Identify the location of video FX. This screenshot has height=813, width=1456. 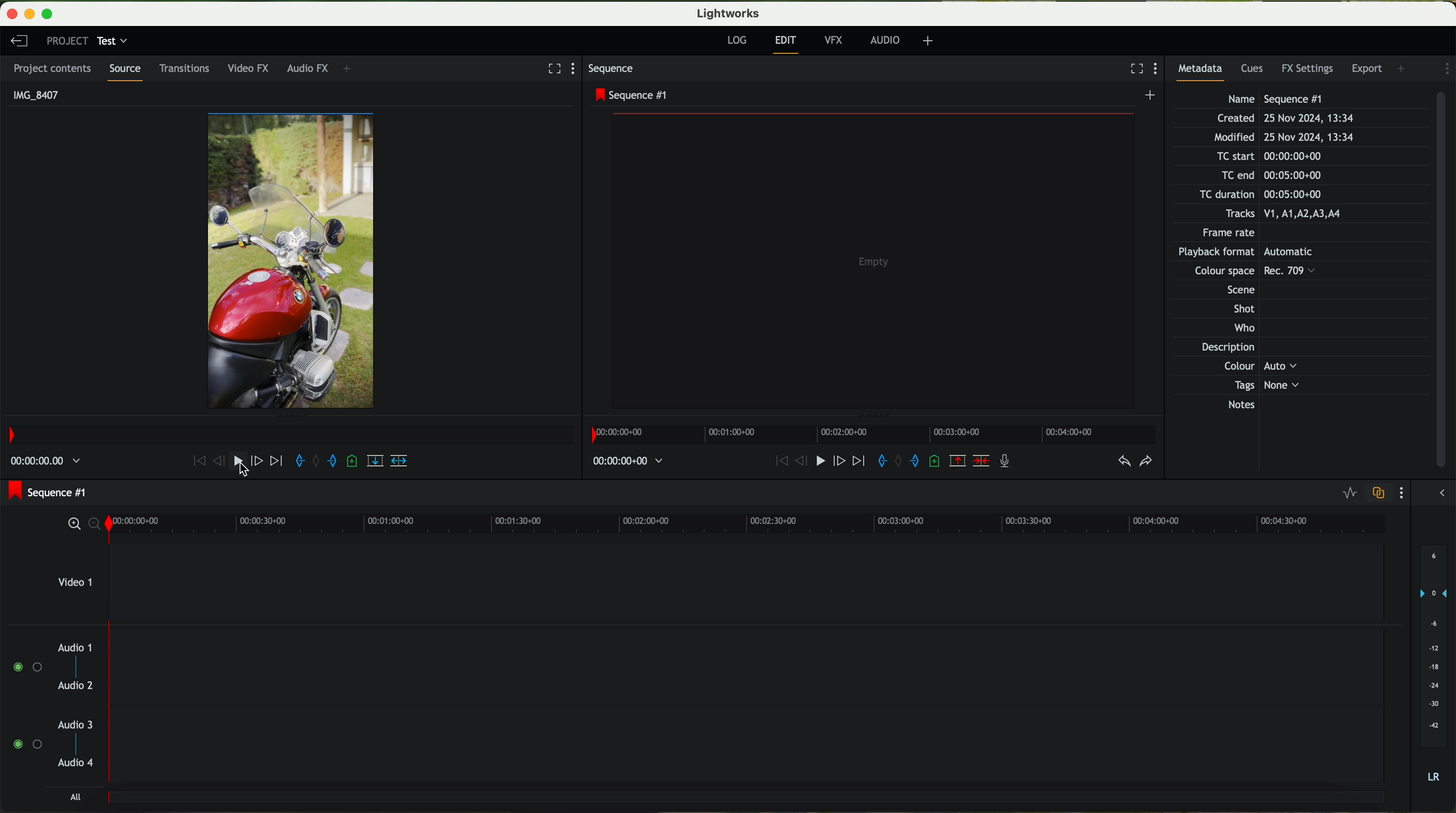
(251, 70).